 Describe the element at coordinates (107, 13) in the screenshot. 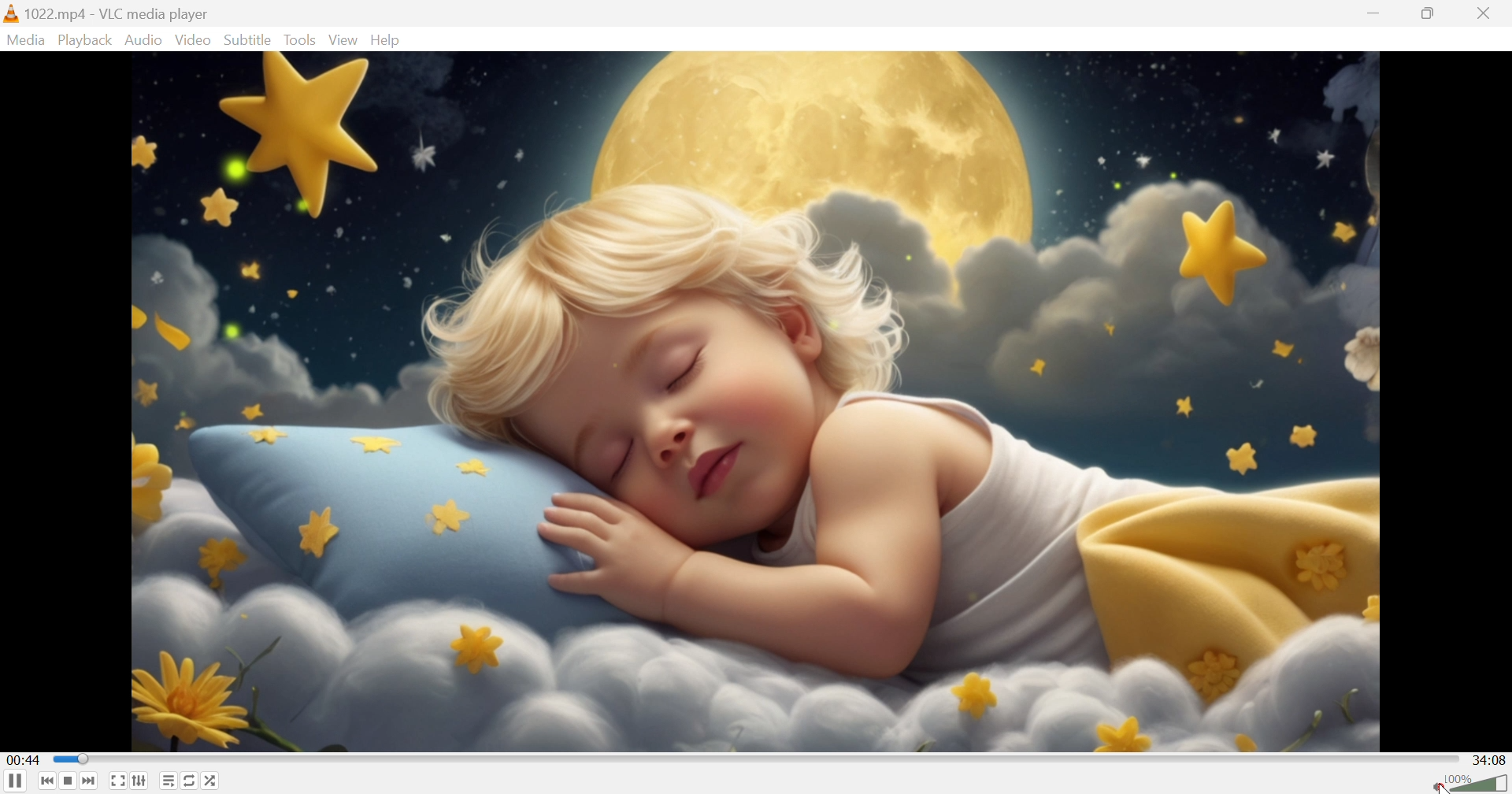

I see `1022.mp4 - VLC media player` at that location.